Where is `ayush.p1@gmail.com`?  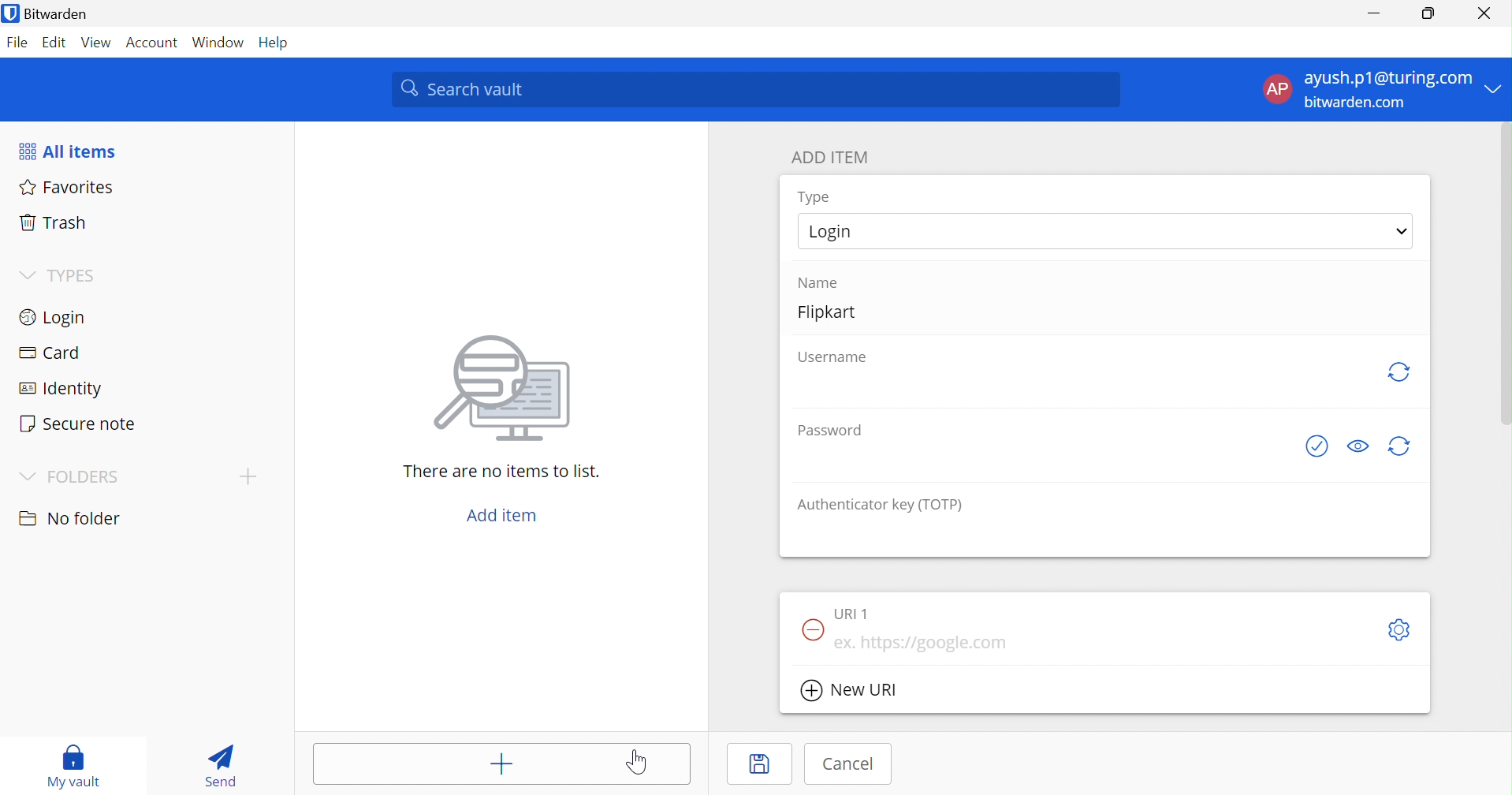 ayush.p1@gmail.com is located at coordinates (1386, 80).